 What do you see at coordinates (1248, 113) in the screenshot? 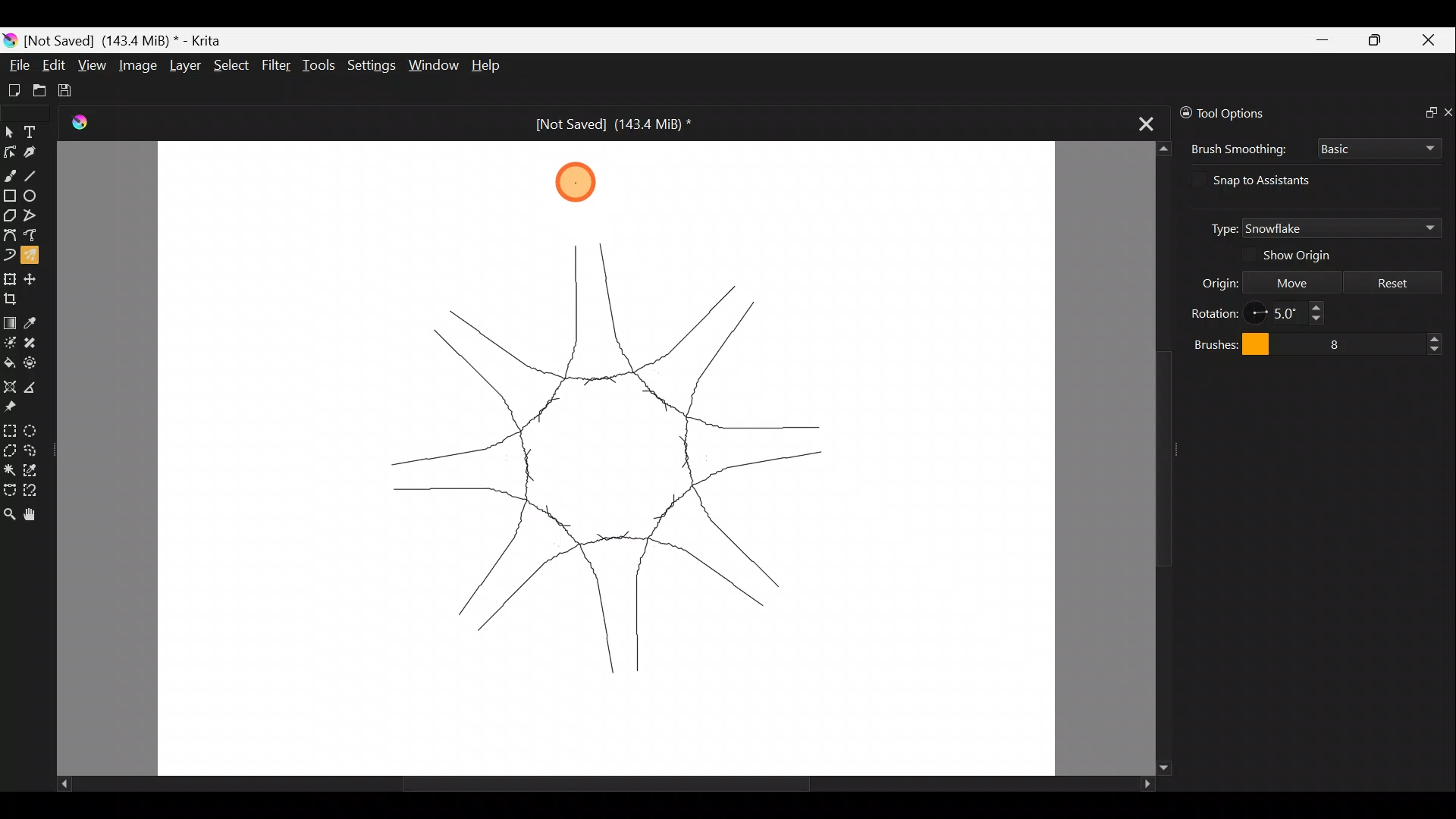
I see `Tool options` at bounding box center [1248, 113].